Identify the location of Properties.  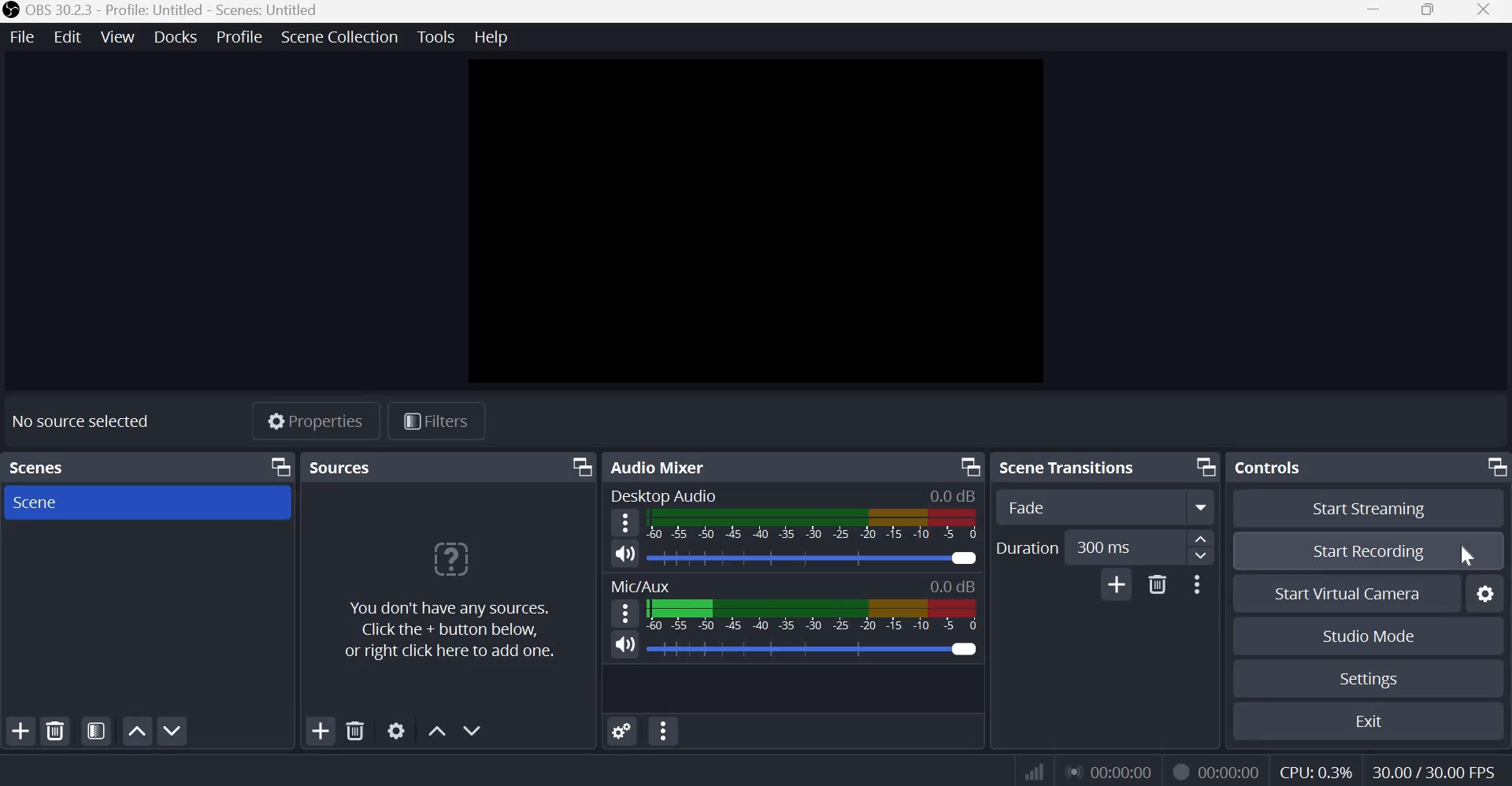
(312, 421).